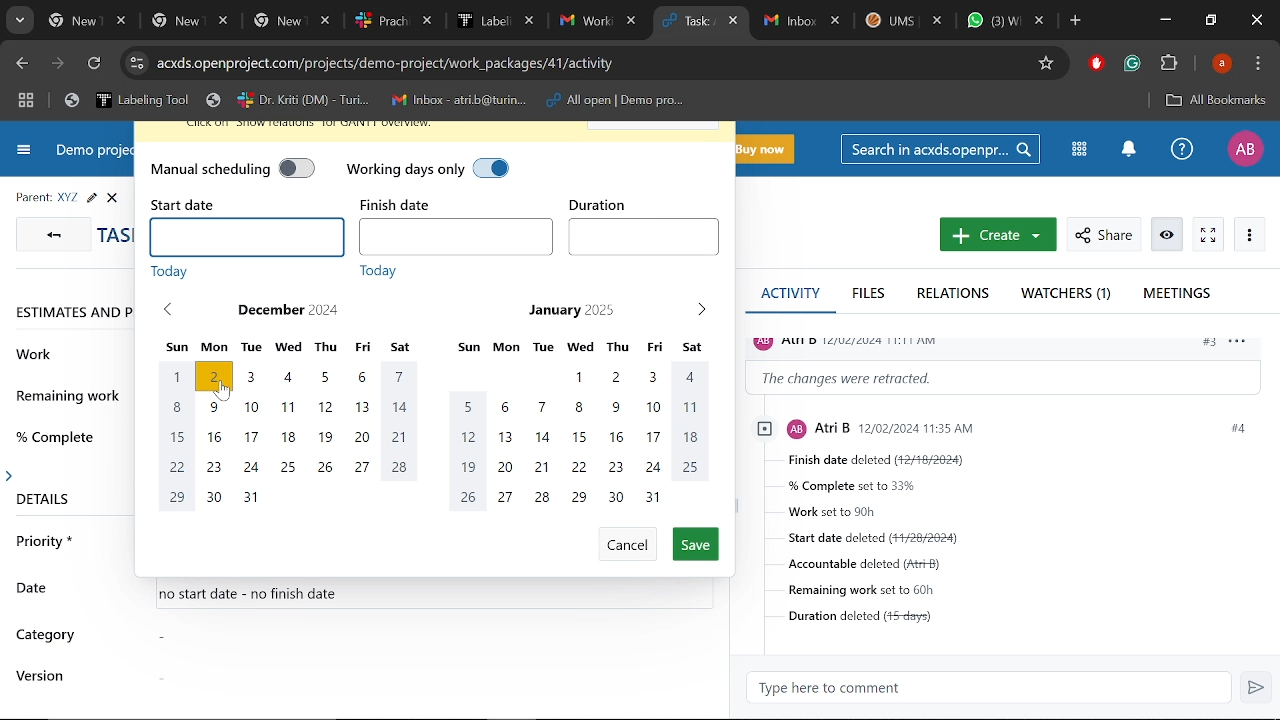  Describe the element at coordinates (18, 21) in the screenshot. I see `Search tabs` at that location.